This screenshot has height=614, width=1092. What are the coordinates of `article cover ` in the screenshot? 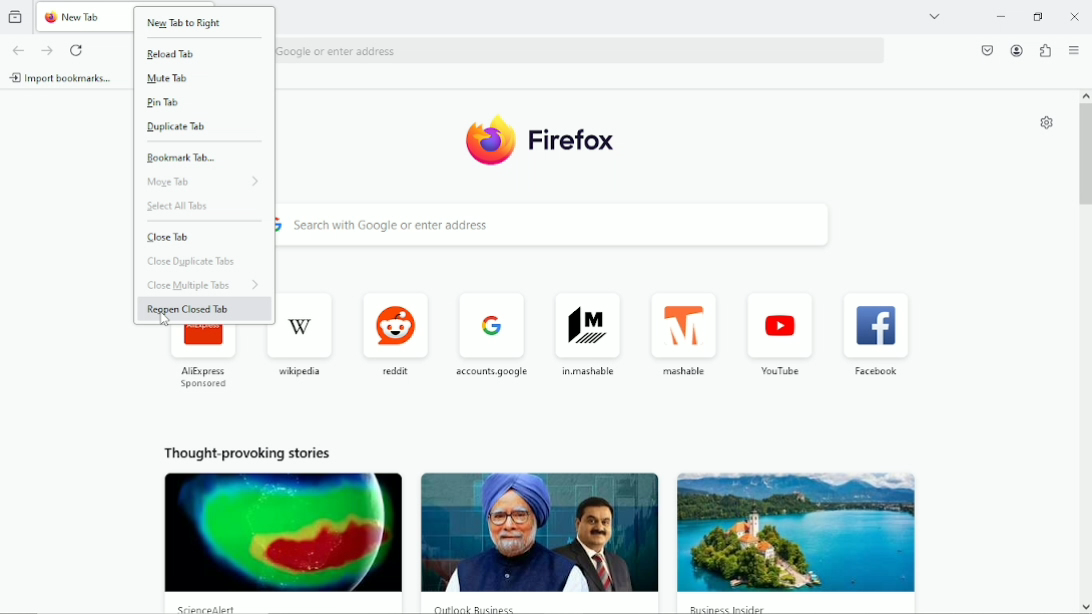 It's located at (533, 532).